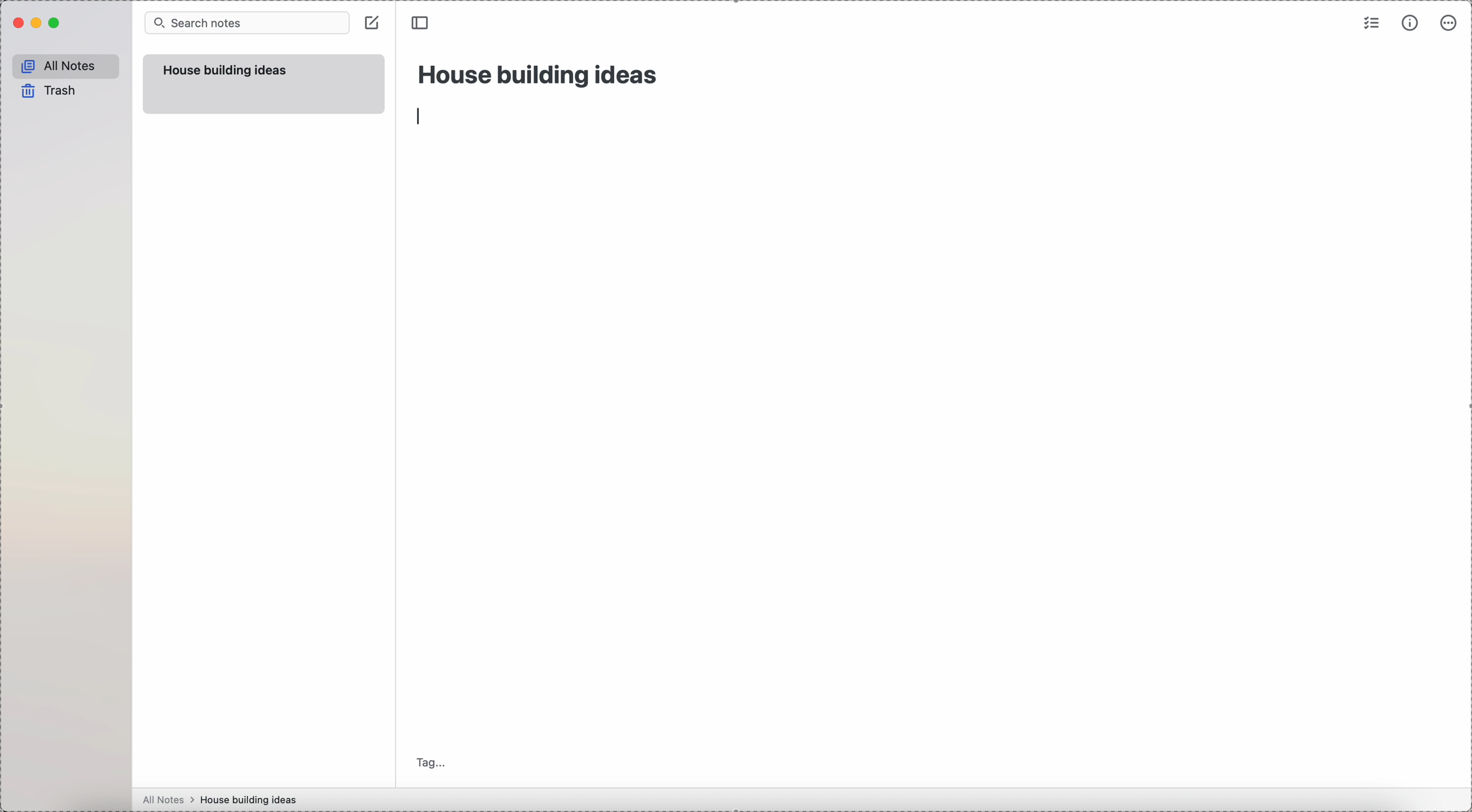 This screenshot has width=1472, height=812. Describe the element at coordinates (38, 25) in the screenshot. I see `minimize Simplenote` at that location.